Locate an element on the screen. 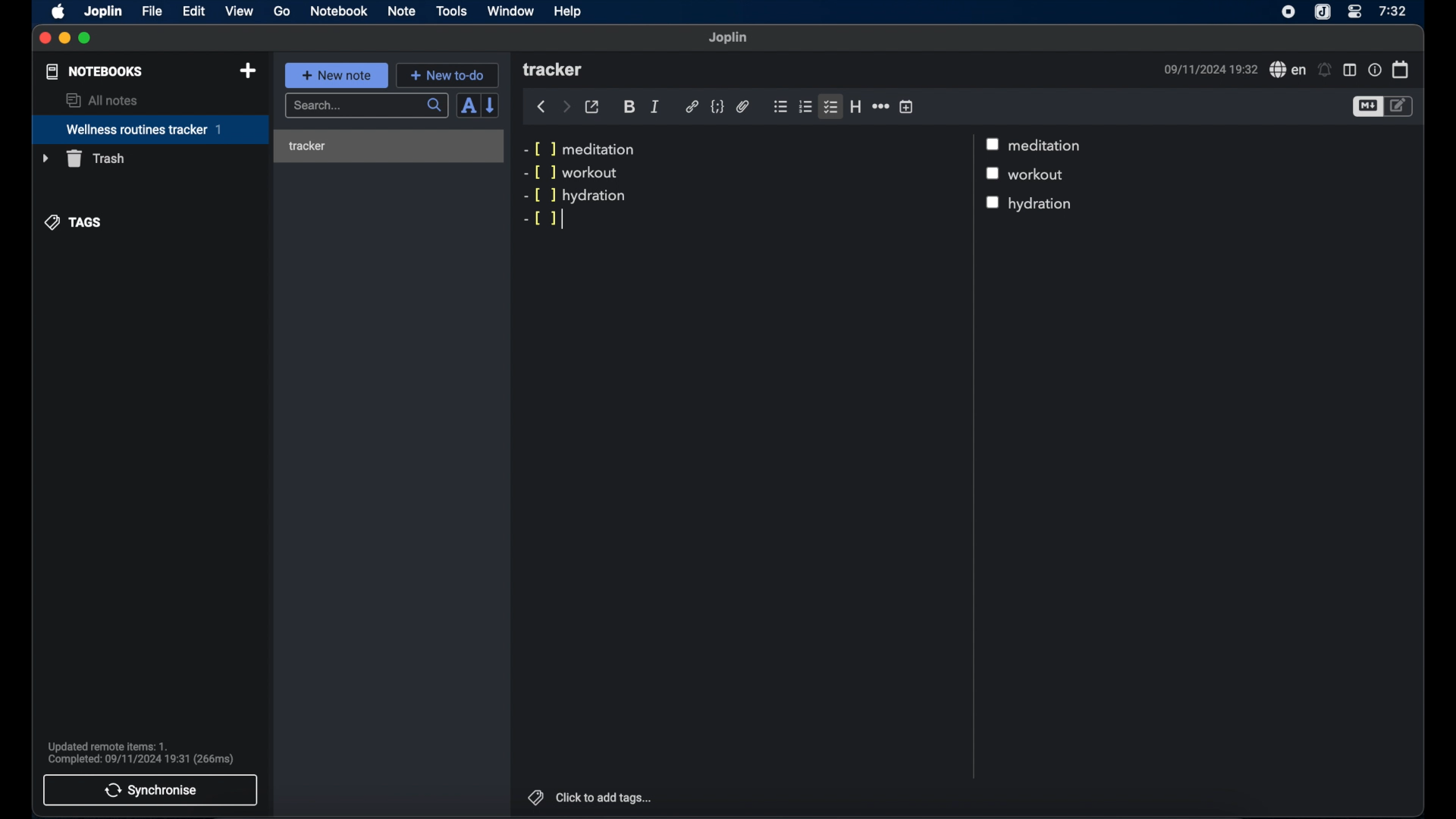  meditation is located at coordinates (1048, 146).